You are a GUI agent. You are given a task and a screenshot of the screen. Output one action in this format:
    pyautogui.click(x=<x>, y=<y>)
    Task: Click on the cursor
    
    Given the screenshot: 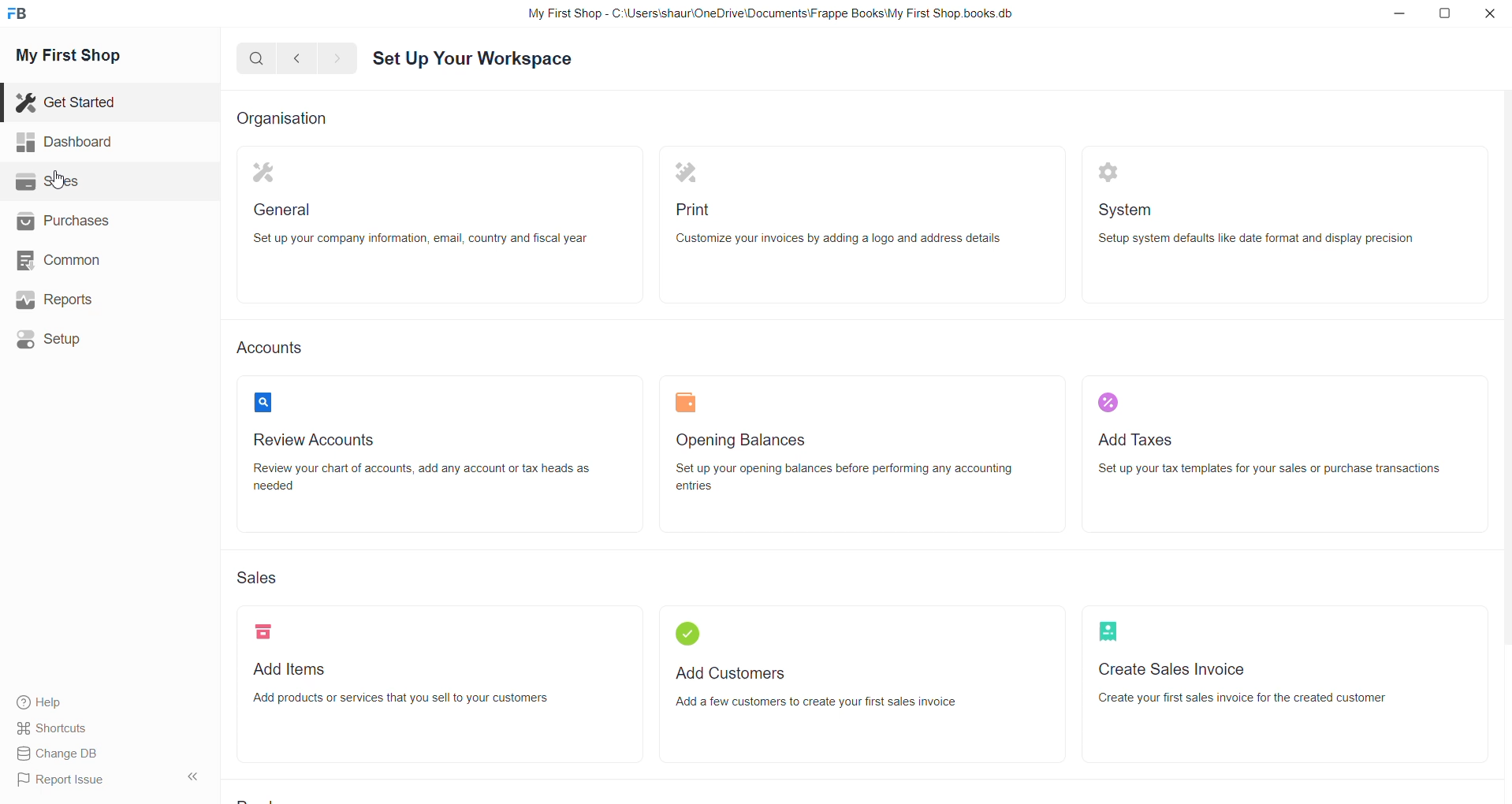 What is the action you would take?
    pyautogui.click(x=61, y=184)
    